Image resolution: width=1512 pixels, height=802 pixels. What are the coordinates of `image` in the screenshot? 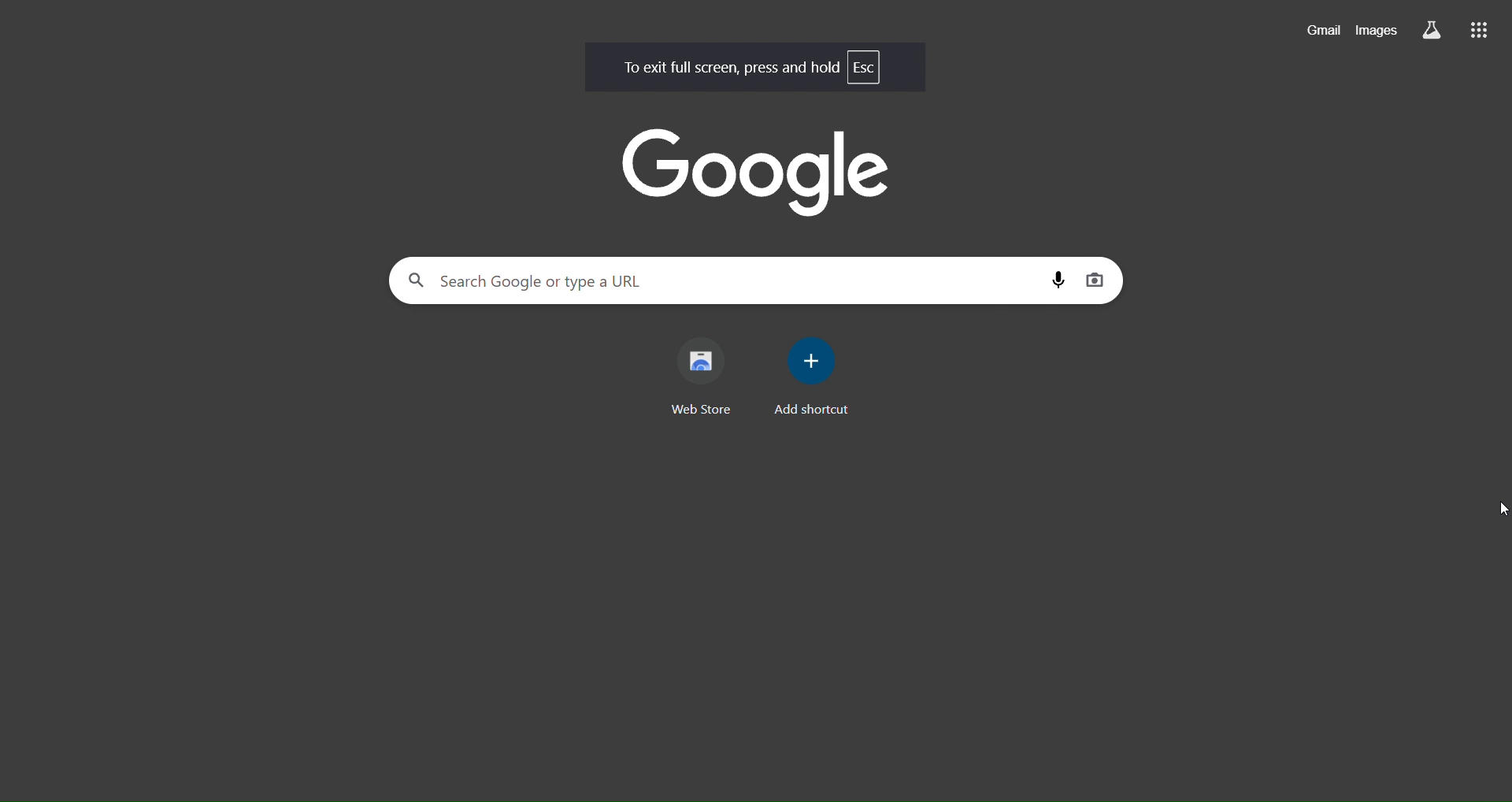 It's located at (759, 171).